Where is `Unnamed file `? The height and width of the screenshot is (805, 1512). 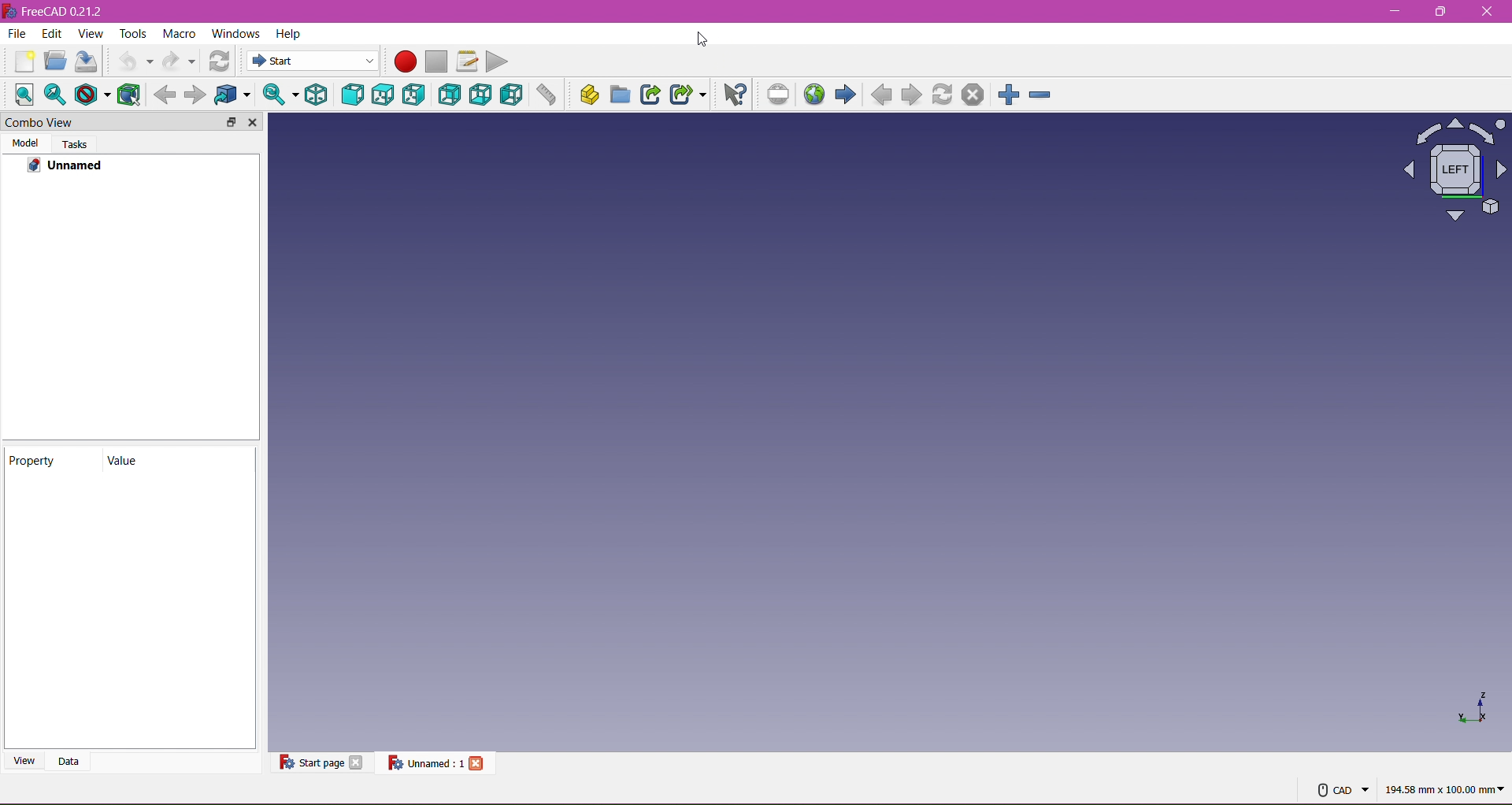 Unnamed file  is located at coordinates (435, 762).